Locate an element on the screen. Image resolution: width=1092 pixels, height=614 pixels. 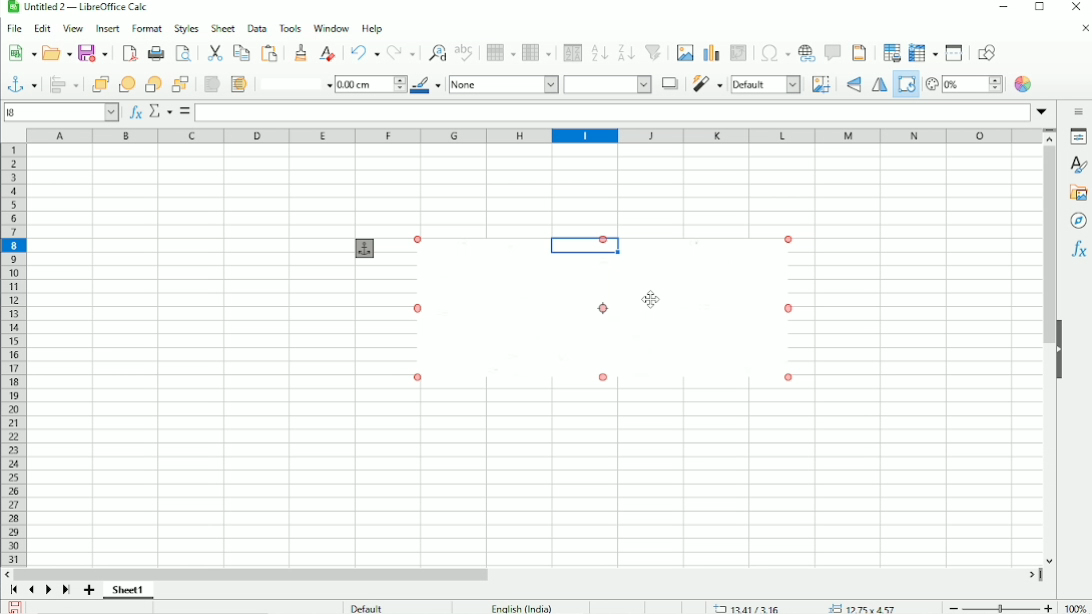
Anchor is located at coordinates (365, 248).